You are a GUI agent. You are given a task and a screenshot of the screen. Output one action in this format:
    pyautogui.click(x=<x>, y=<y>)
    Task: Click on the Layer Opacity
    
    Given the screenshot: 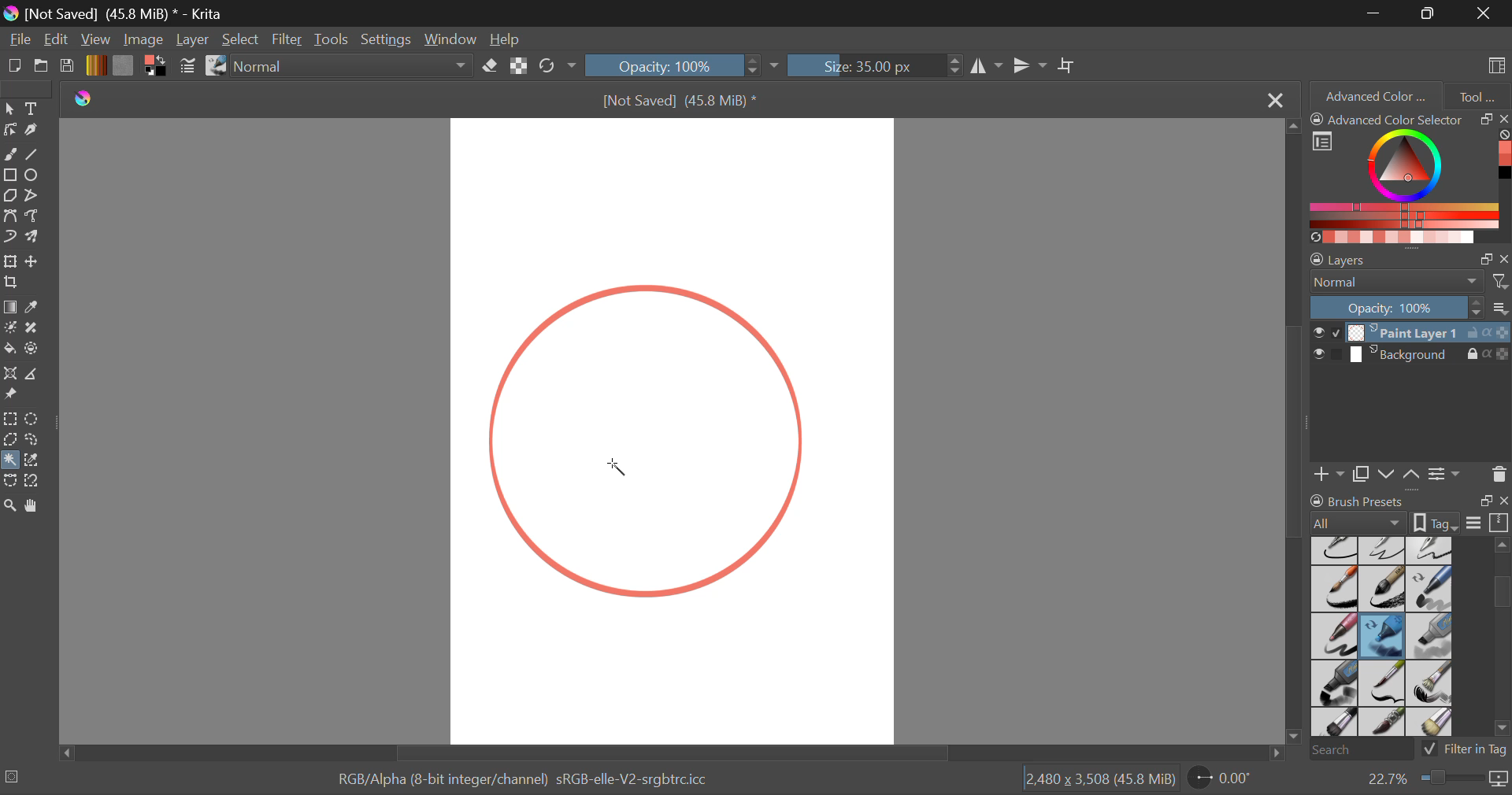 What is the action you would take?
    pyautogui.click(x=1410, y=307)
    